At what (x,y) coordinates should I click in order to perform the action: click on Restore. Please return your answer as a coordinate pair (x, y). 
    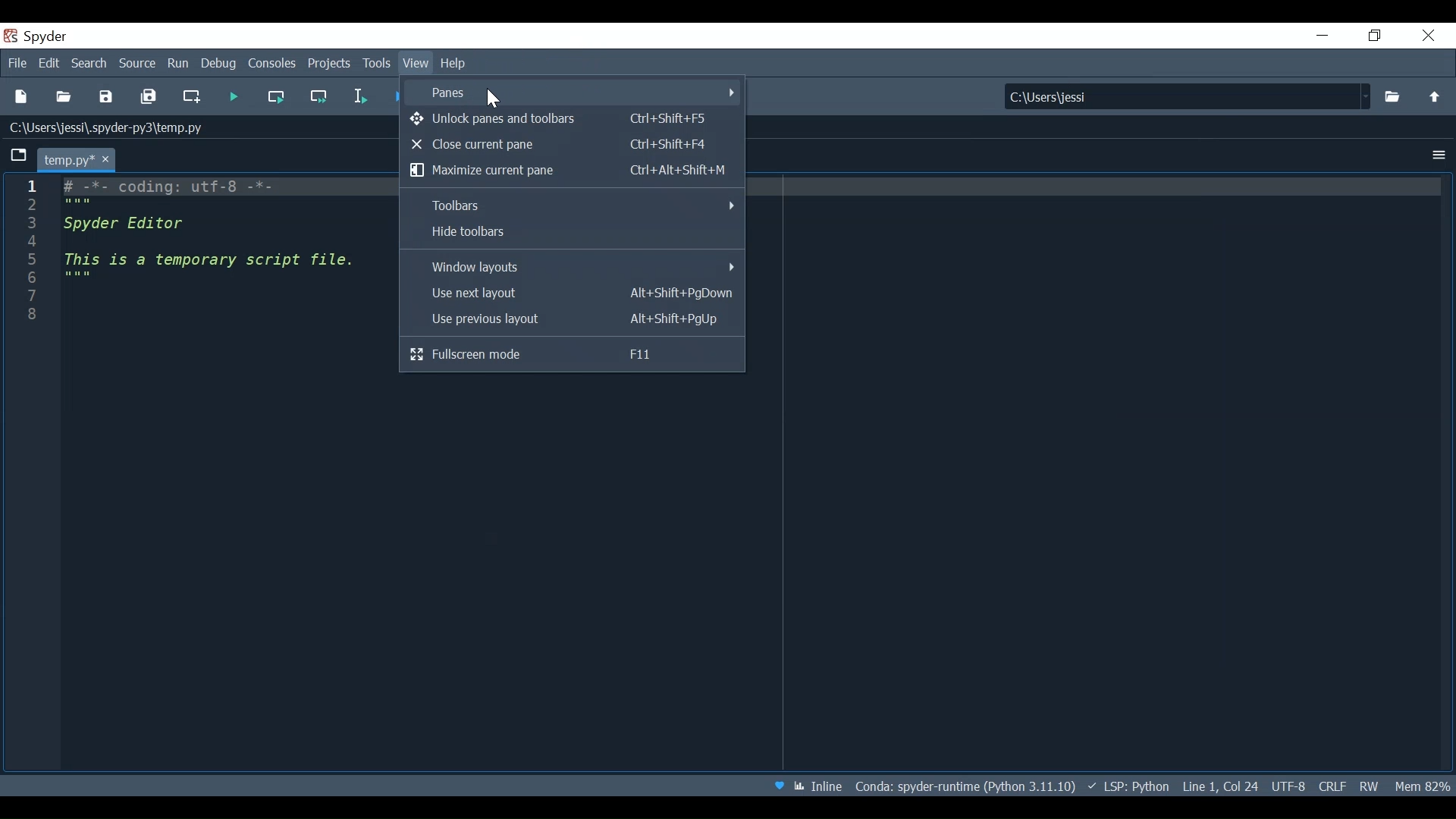
    Looking at the image, I should click on (1373, 36).